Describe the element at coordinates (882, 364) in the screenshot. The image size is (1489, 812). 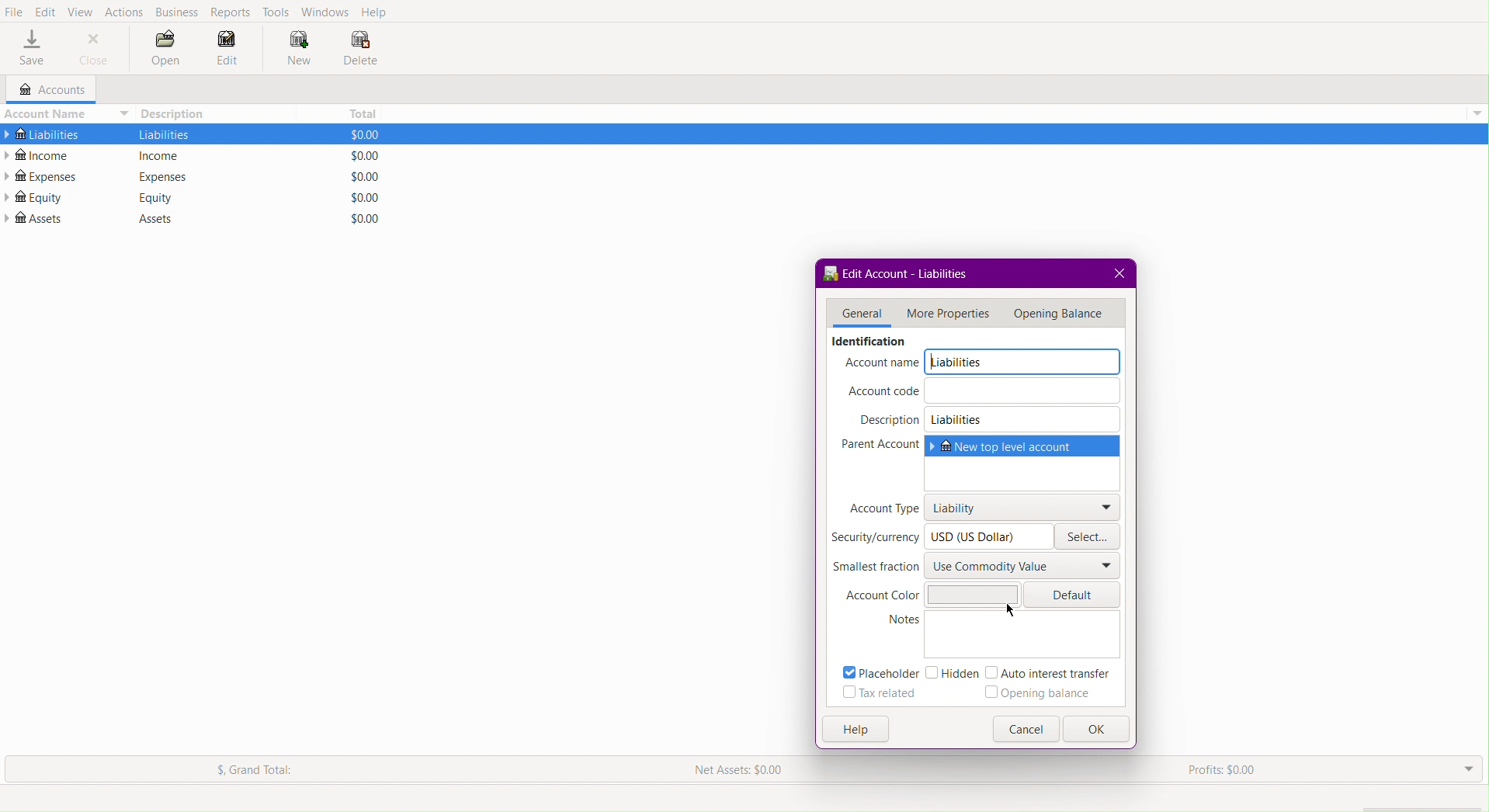
I see `Account name` at that location.